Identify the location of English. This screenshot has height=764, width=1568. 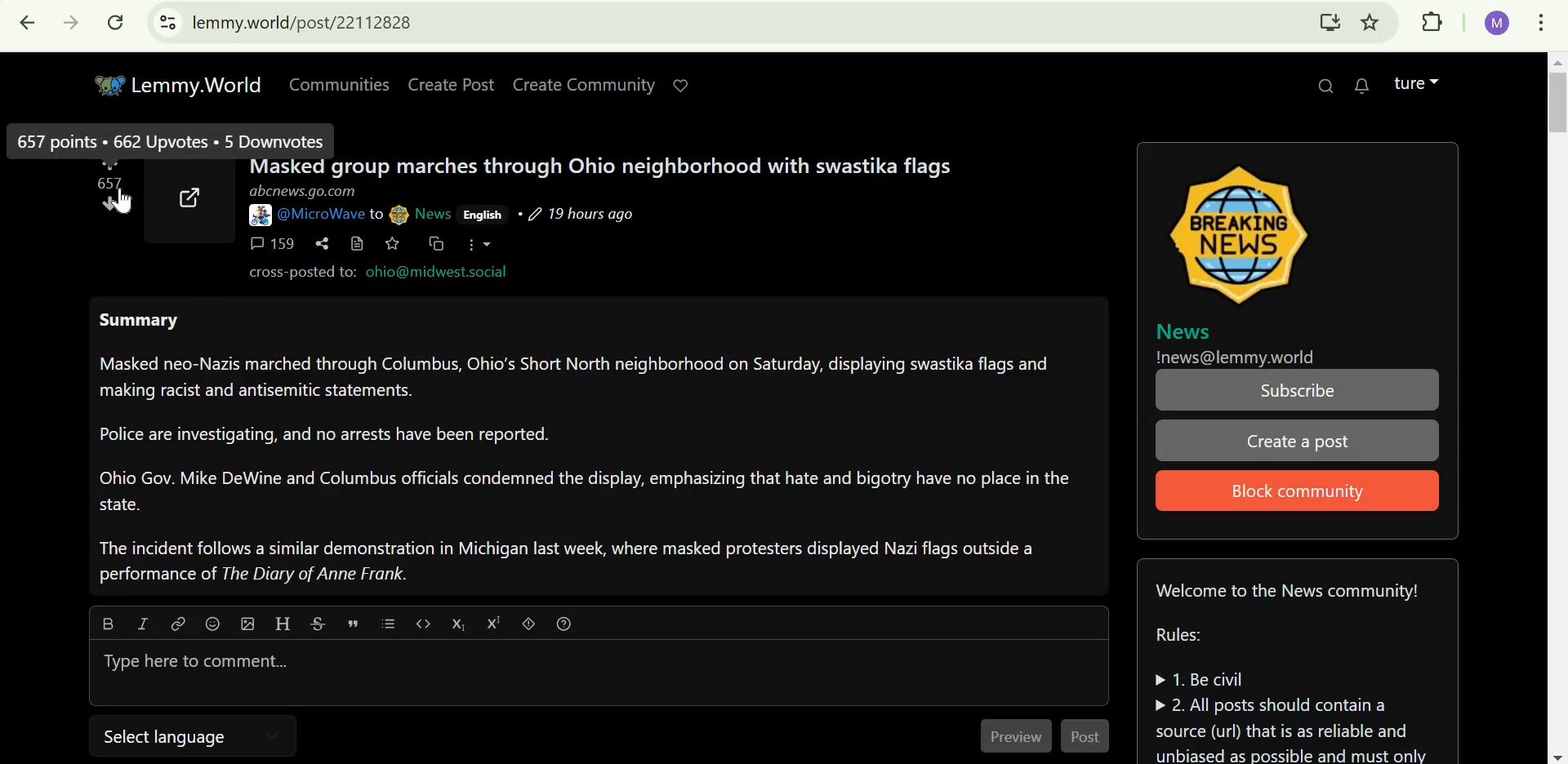
(483, 214).